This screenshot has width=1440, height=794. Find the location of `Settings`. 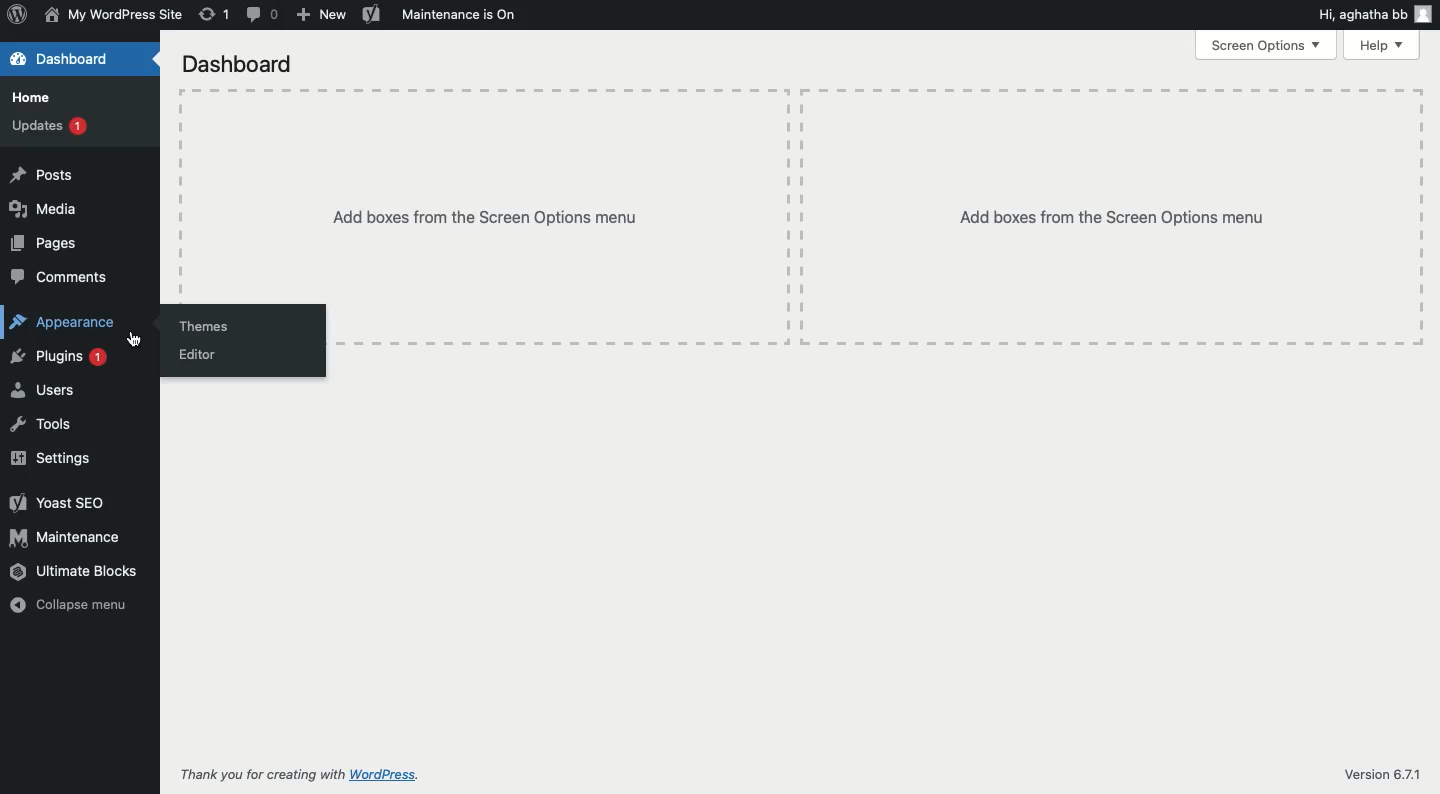

Settings is located at coordinates (52, 459).